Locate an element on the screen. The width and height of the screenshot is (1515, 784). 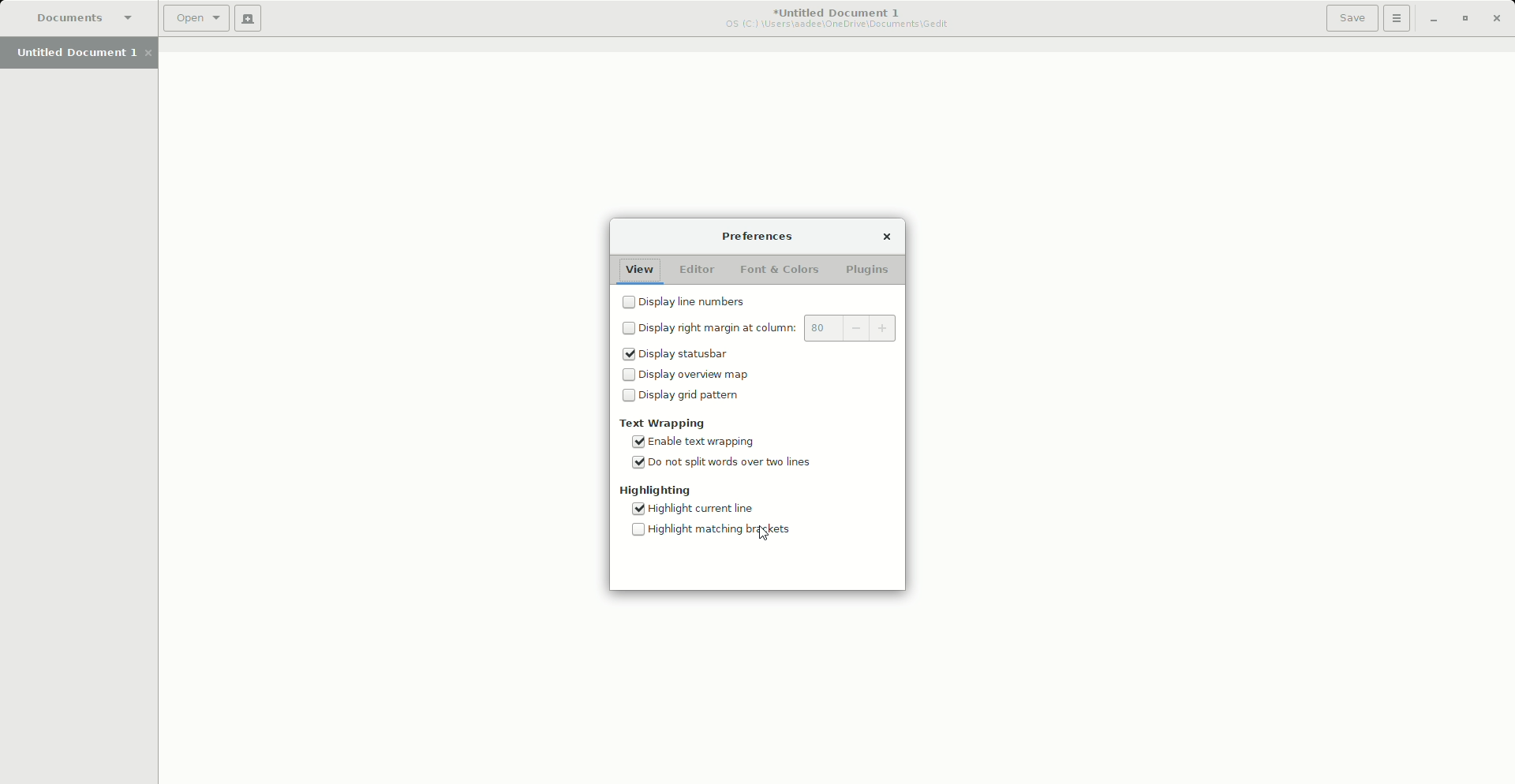
Editor is located at coordinates (697, 271).